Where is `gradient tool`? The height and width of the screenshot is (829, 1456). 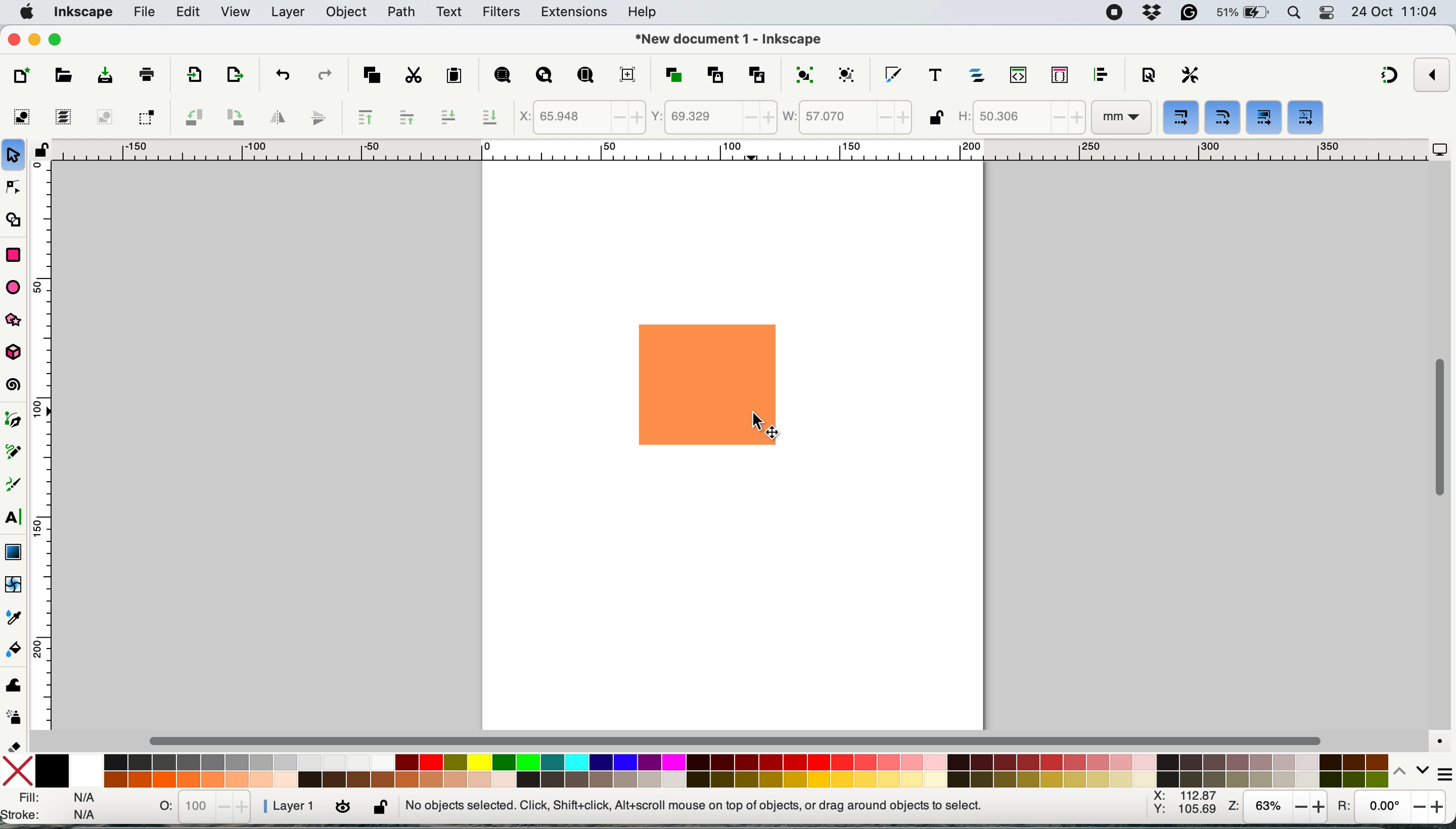
gradient tool is located at coordinates (13, 550).